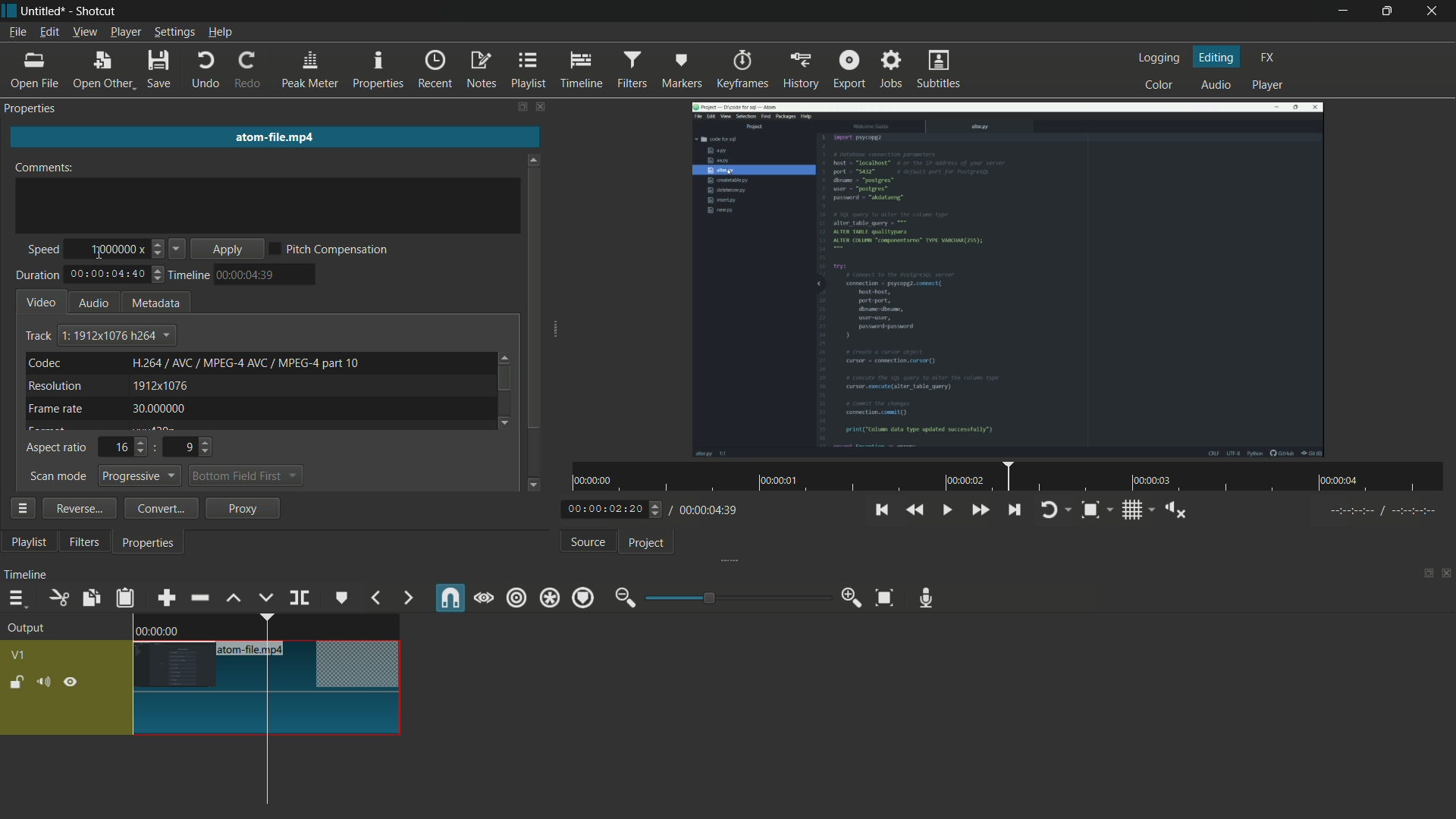 The height and width of the screenshot is (819, 1456). What do you see at coordinates (72, 681) in the screenshot?
I see `hide` at bounding box center [72, 681].